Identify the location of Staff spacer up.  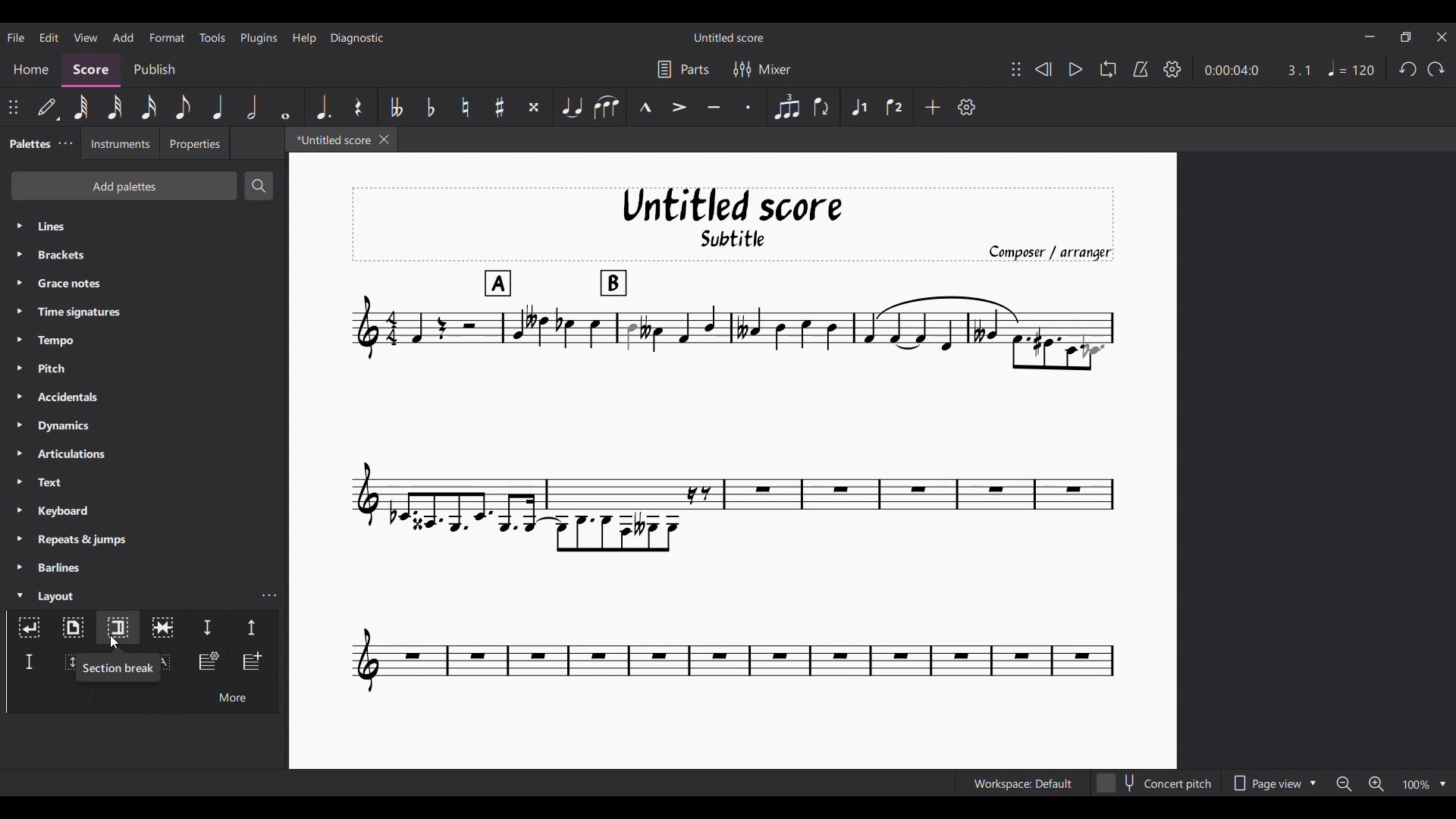
(253, 627).